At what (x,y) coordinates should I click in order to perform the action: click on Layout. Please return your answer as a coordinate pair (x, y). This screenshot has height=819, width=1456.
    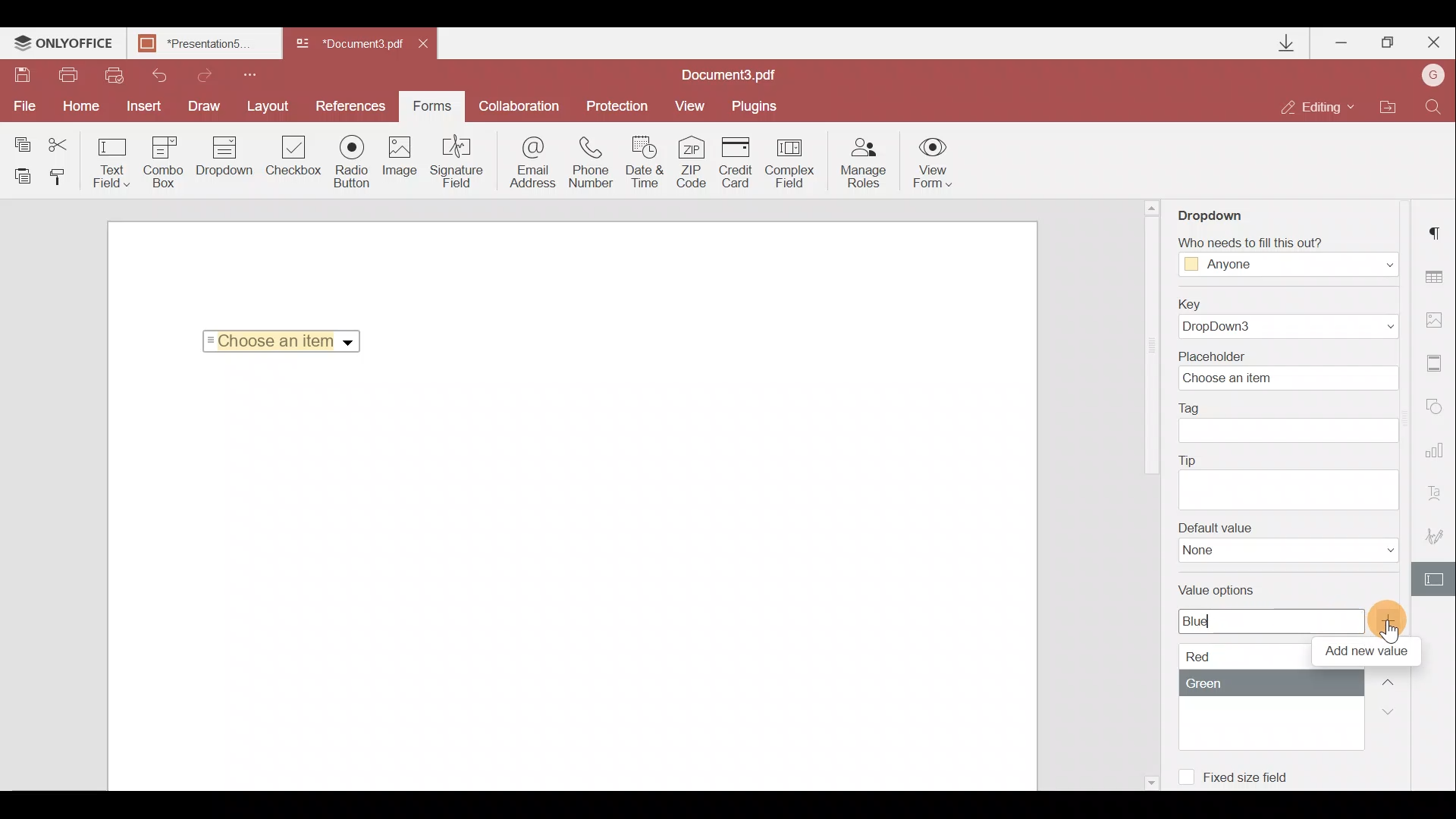
    Looking at the image, I should click on (272, 106).